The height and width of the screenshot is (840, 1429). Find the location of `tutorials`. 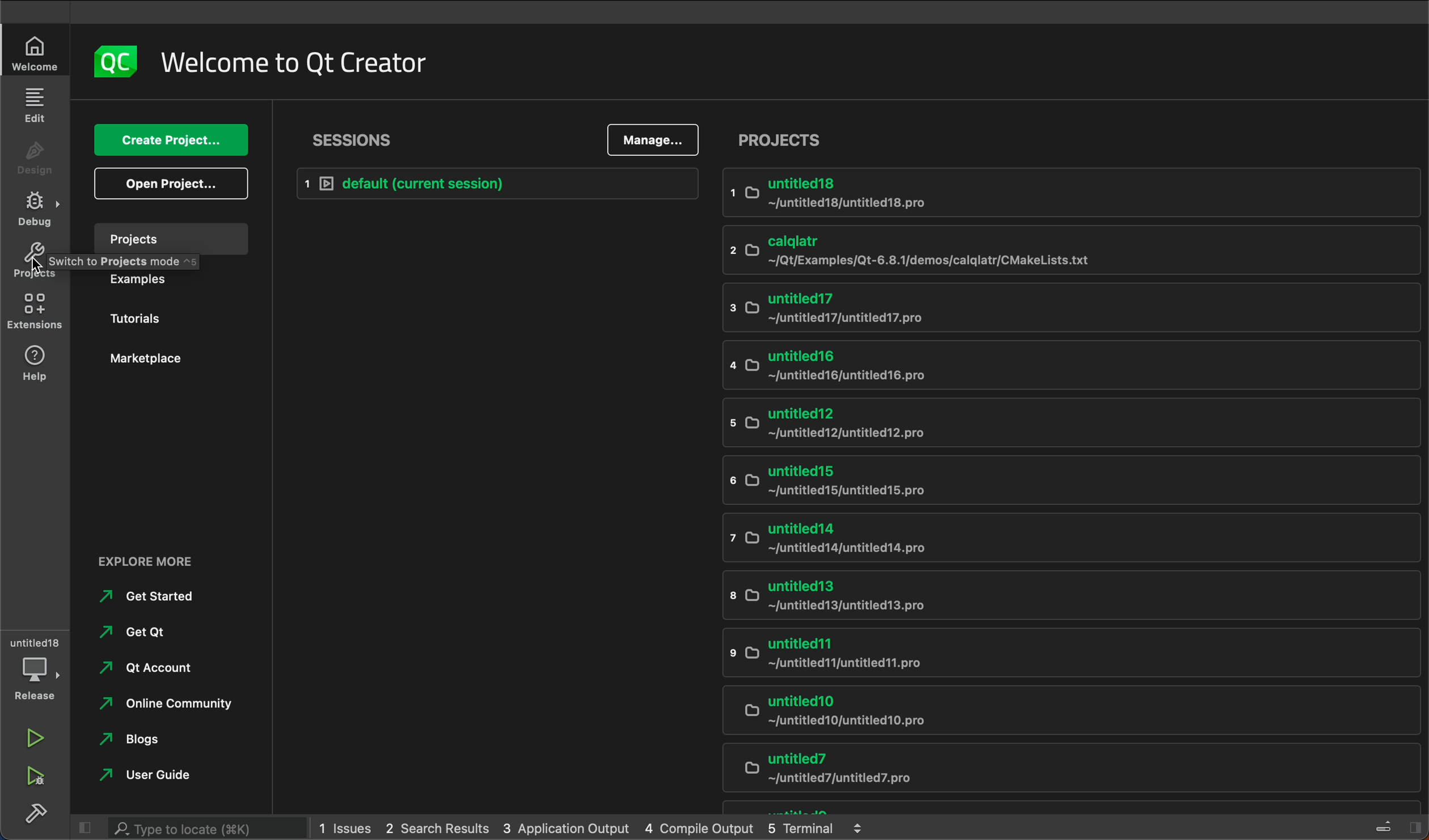

tutorials is located at coordinates (175, 318).